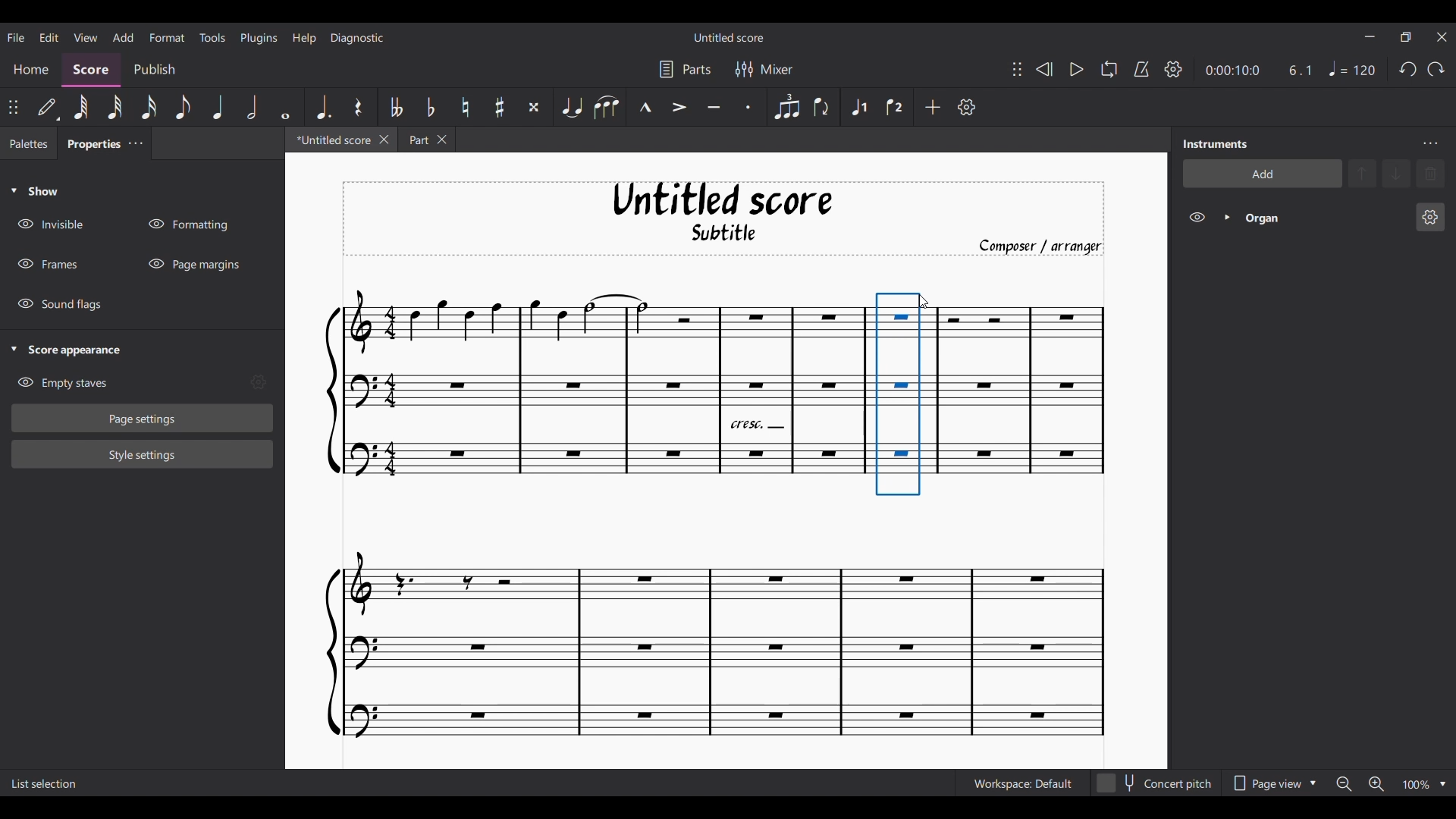 The height and width of the screenshot is (819, 1456). I want to click on Undo, so click(1407, 69).